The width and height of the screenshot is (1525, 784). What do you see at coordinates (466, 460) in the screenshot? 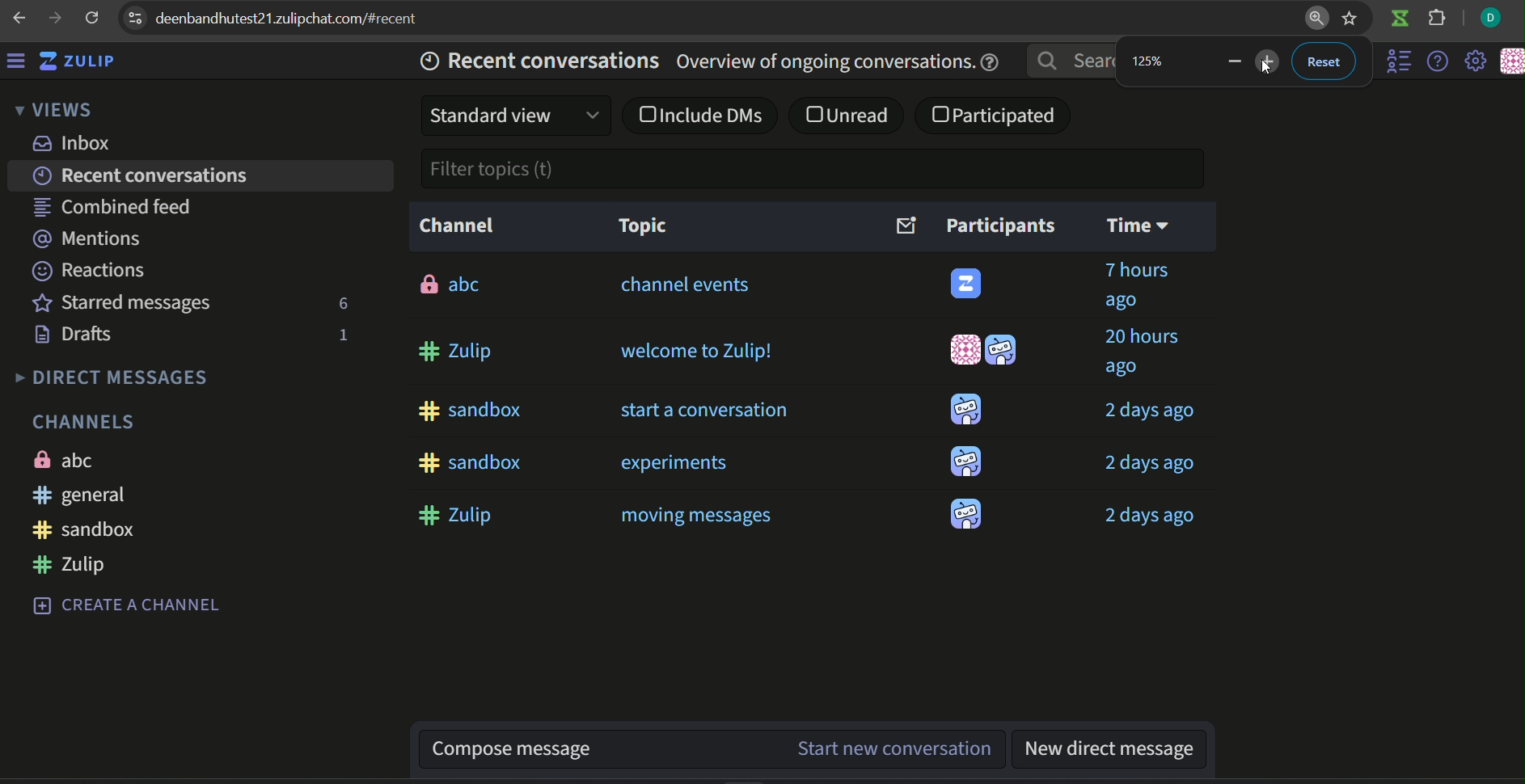
I see `#sandbox` at bounding box center [466, 460].